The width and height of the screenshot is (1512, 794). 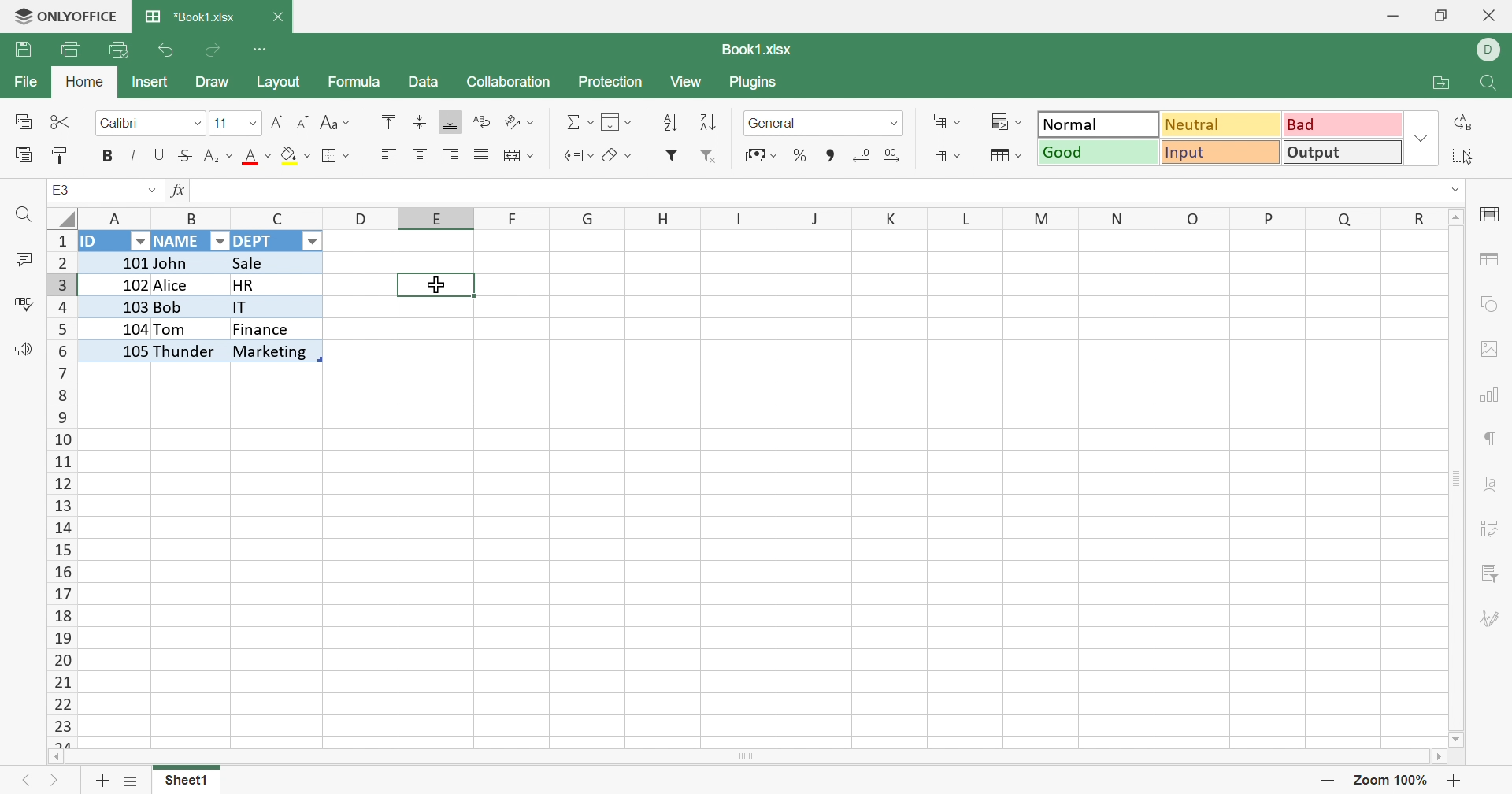 What do you see at coordinates (1456, 477) in the screenshot?
I see `Scroll Bar` at bounding box center [1456, 477].